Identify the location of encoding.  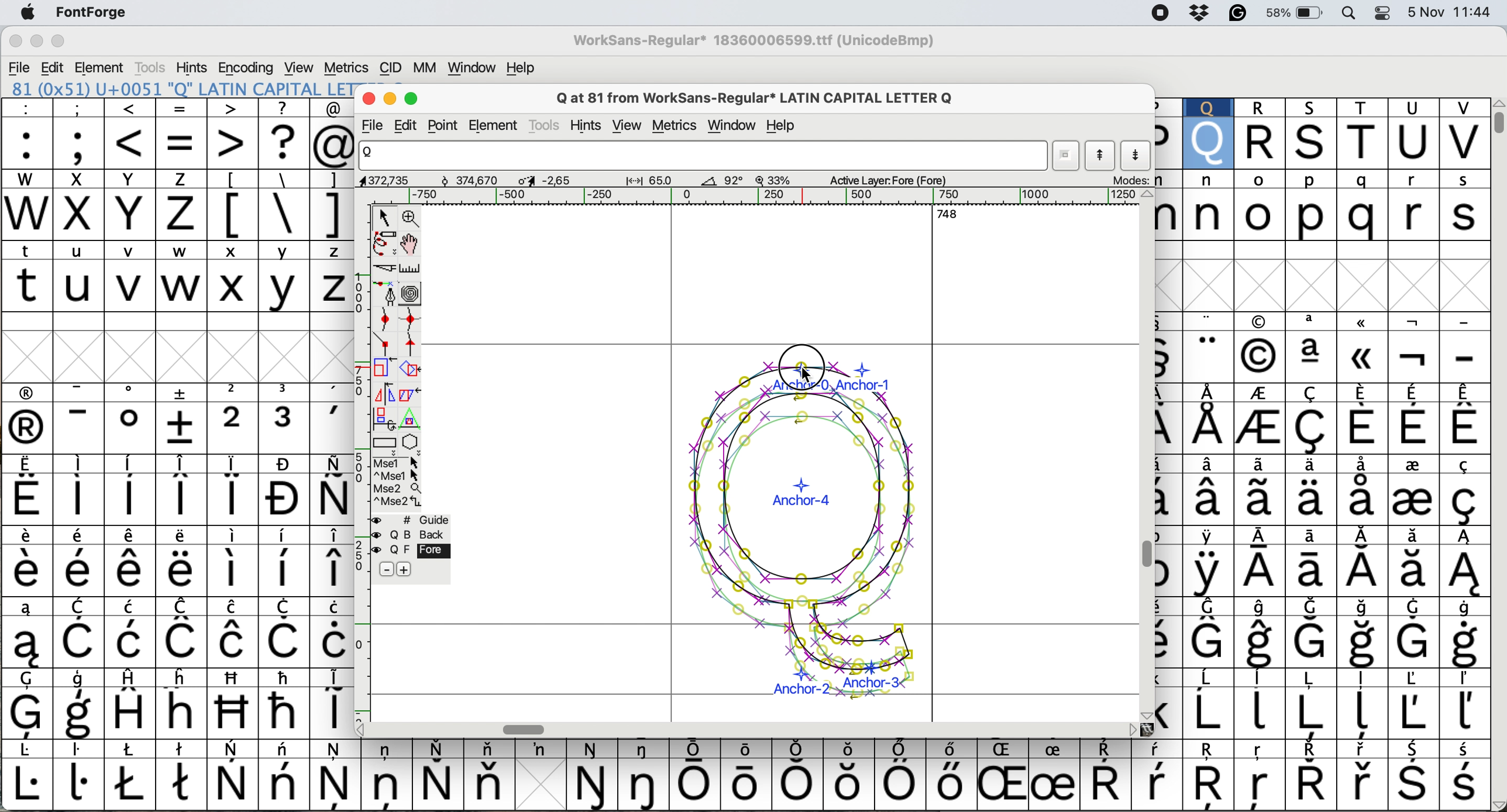
(247, 67).